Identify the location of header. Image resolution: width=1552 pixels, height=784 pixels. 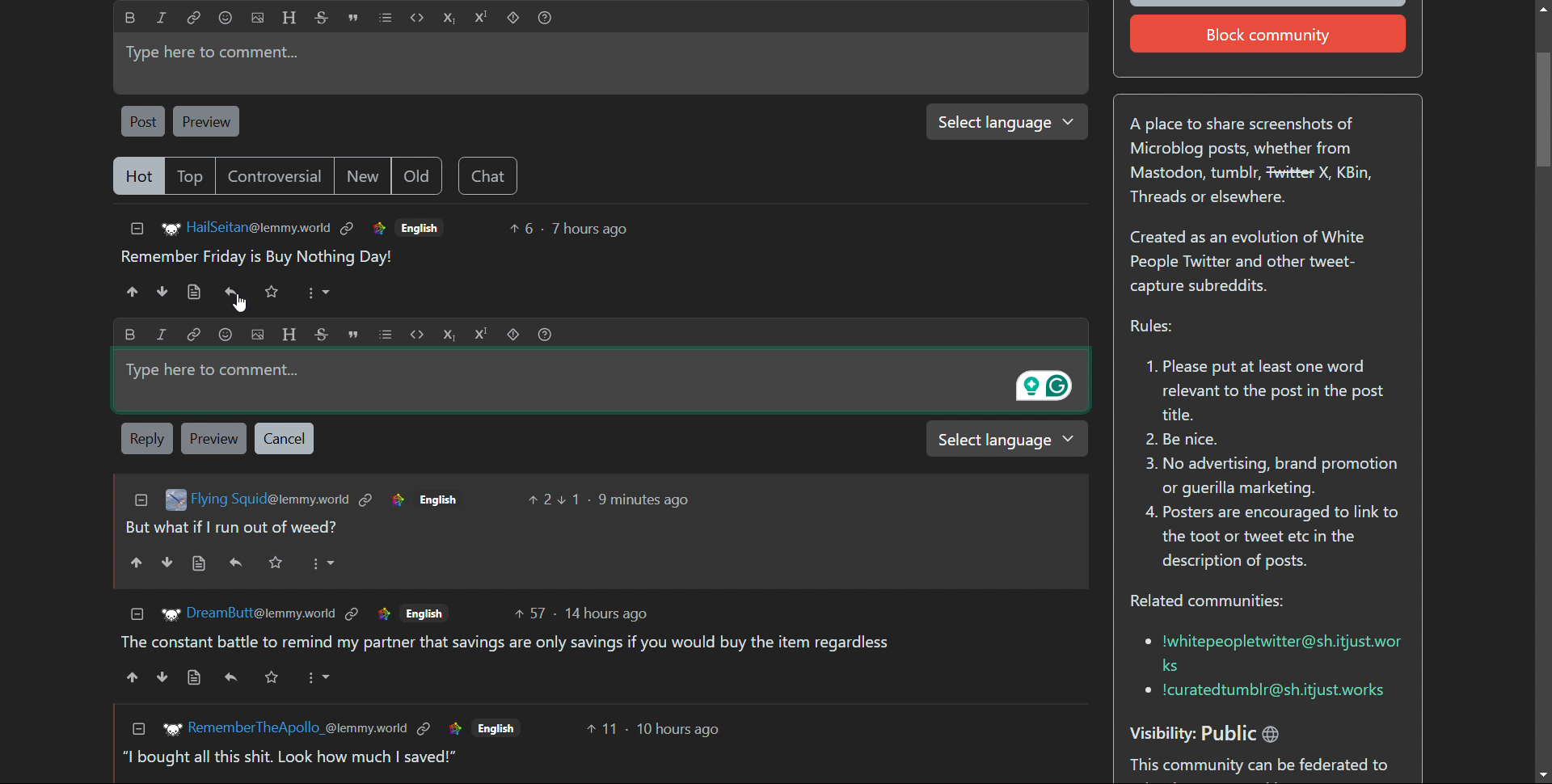
(289, 17).